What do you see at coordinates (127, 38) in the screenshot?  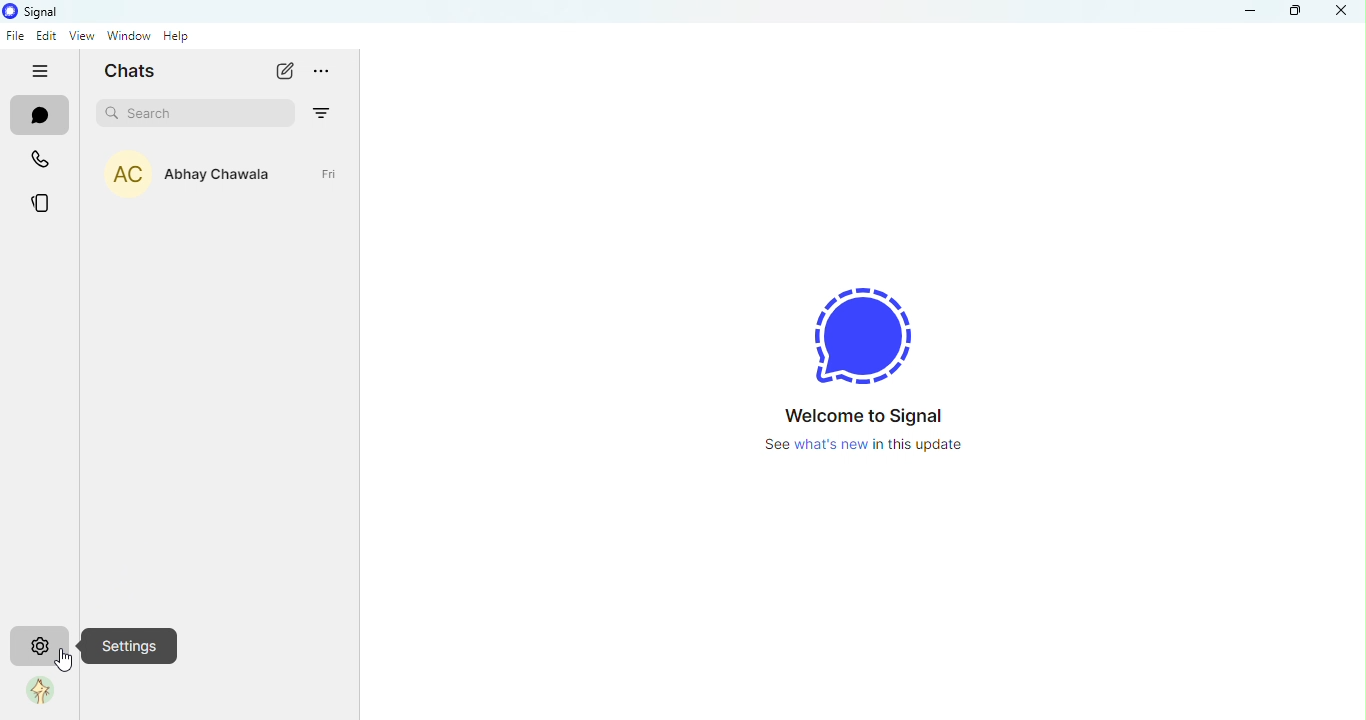 I see `window` at bounding box center [127, 38].